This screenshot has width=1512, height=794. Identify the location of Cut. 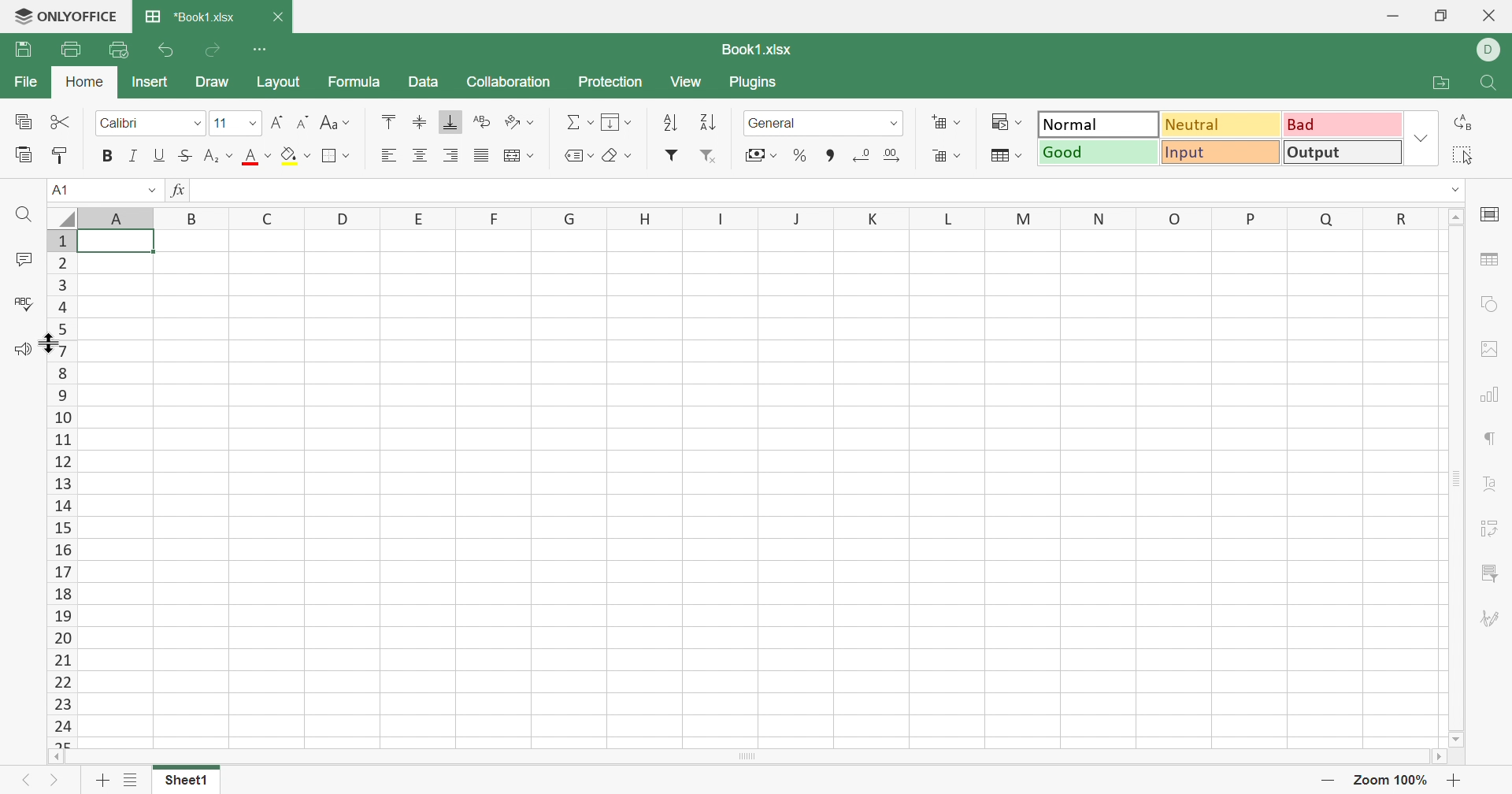
(64, 124).